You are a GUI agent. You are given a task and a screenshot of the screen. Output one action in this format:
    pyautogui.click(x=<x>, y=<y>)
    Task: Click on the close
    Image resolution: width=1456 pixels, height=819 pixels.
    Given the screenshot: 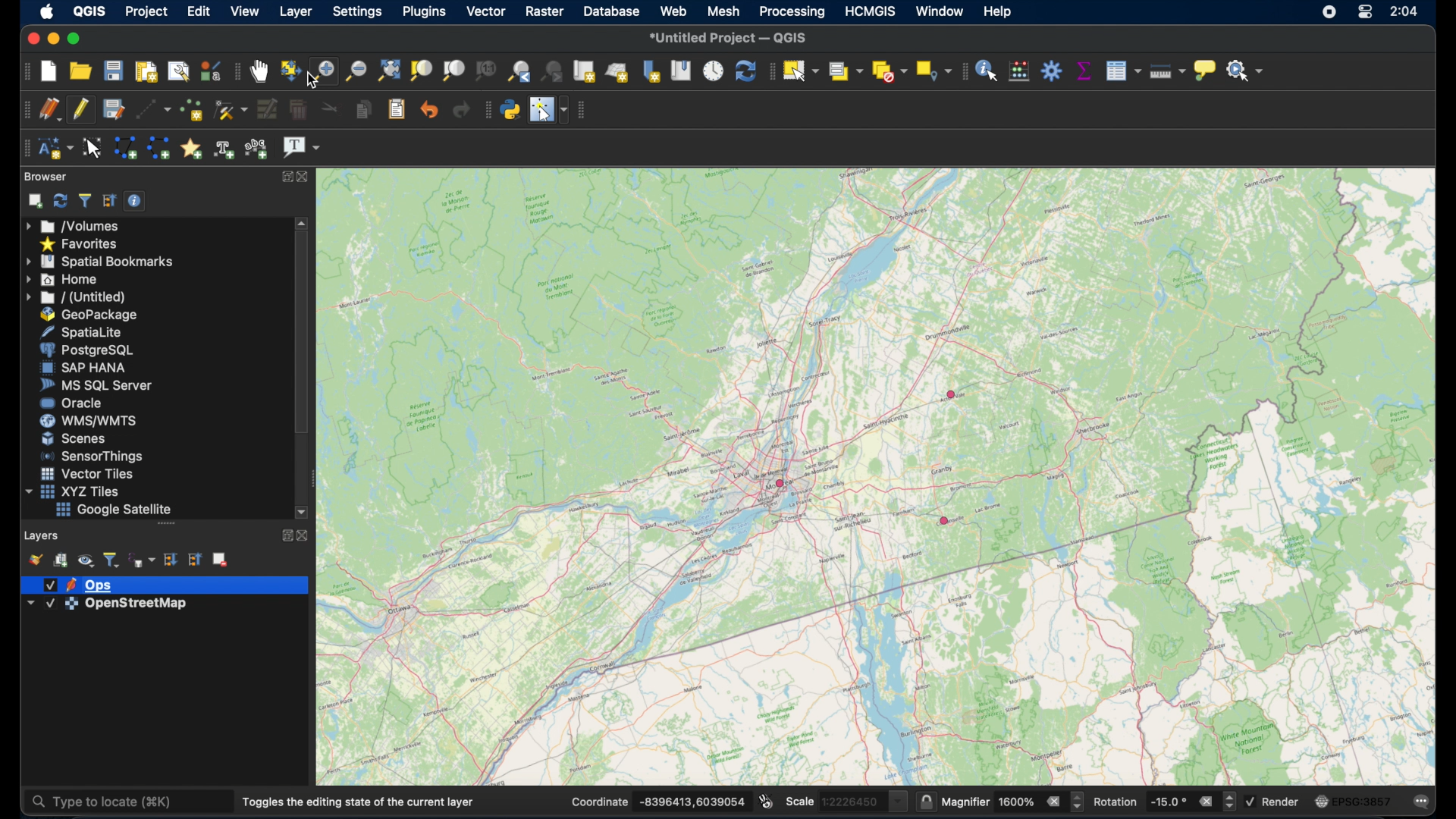 What is the action you would take?
    pyautogui.click(x=30, y=39)
    